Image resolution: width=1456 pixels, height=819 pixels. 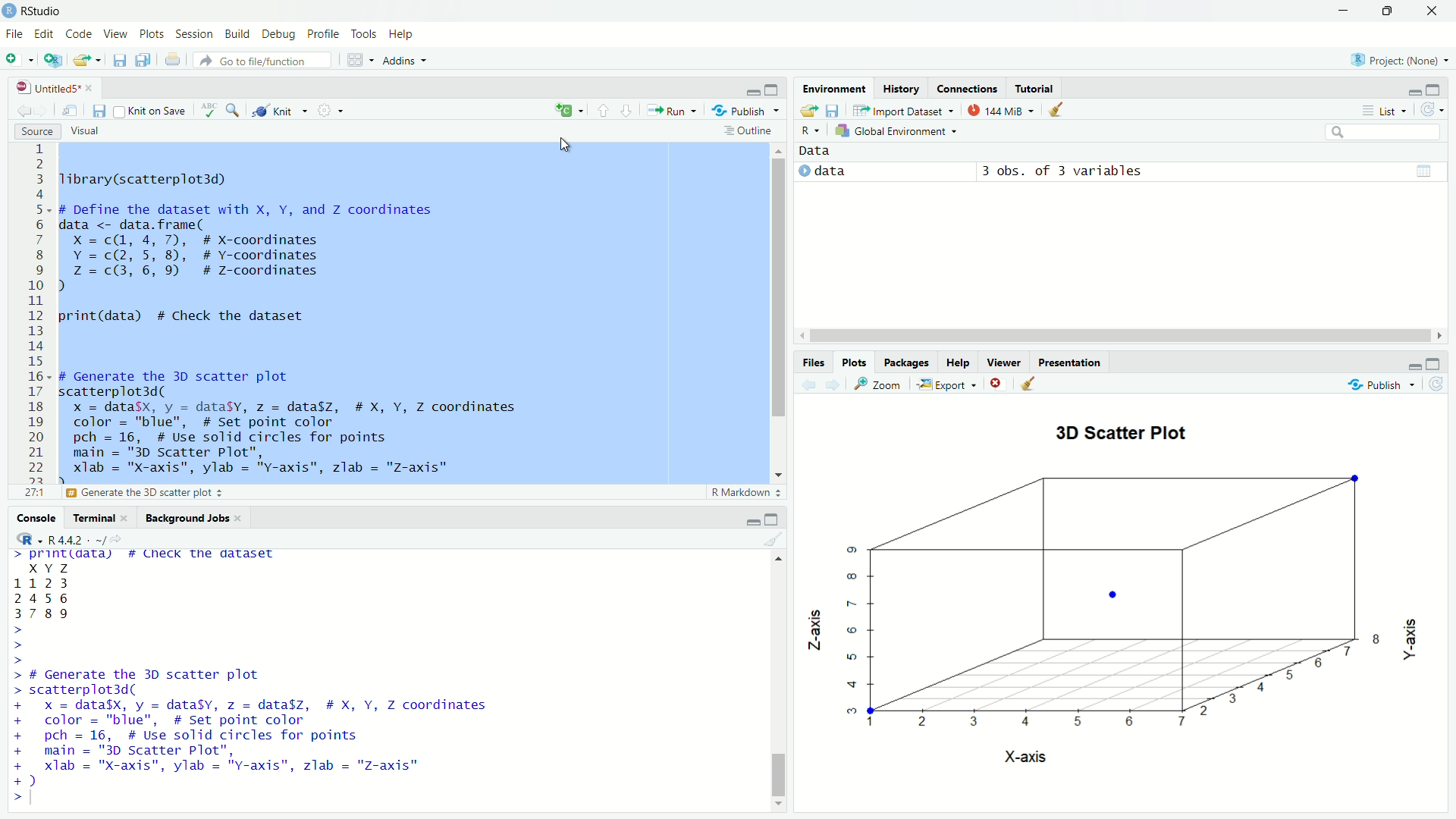 What do you see at coordinates (13, 646) in the screenshot?
I see `prompt cursor` at bounding box center [13, 646].